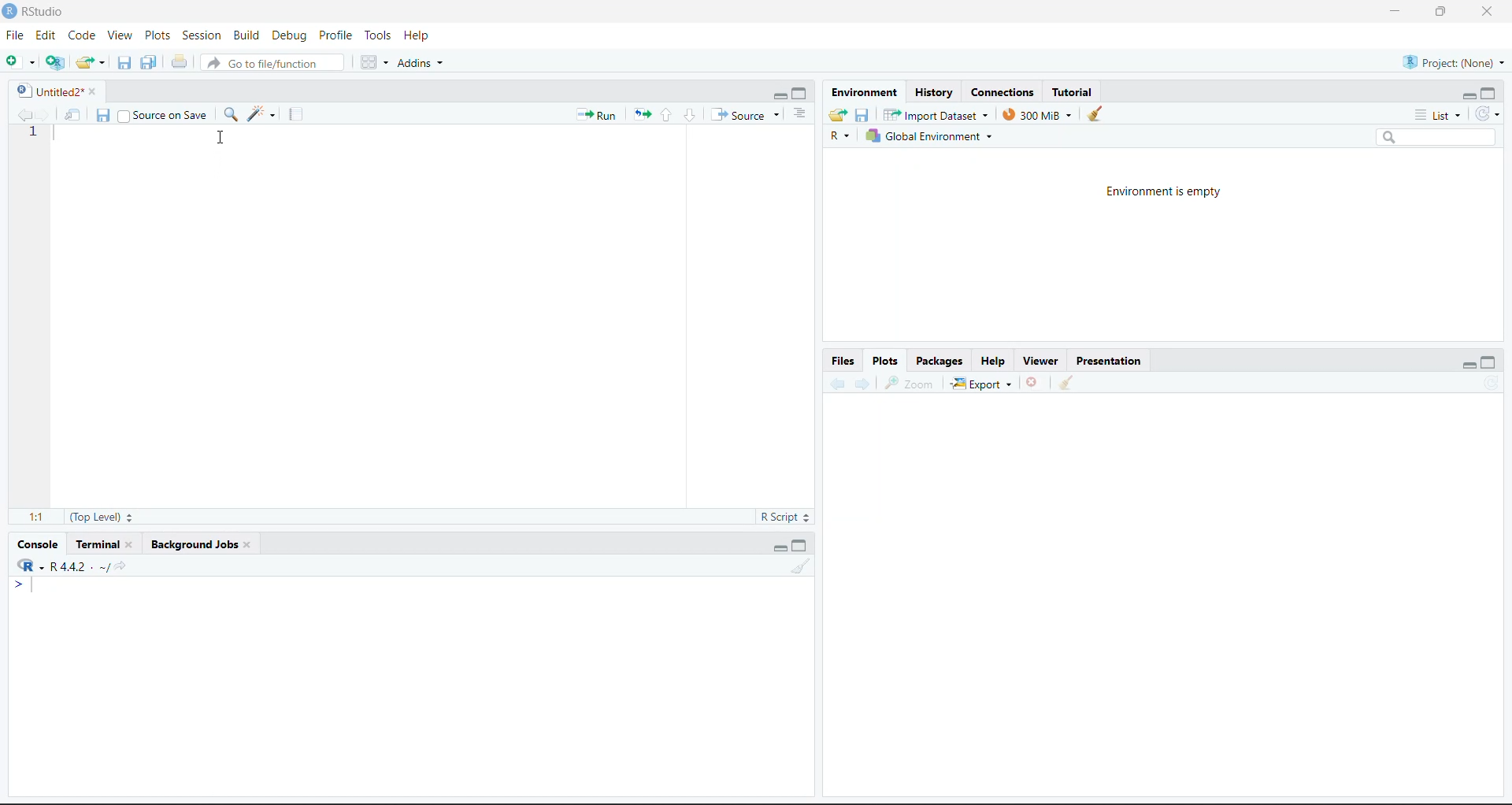  I want to click on Help, so click(996, 359).